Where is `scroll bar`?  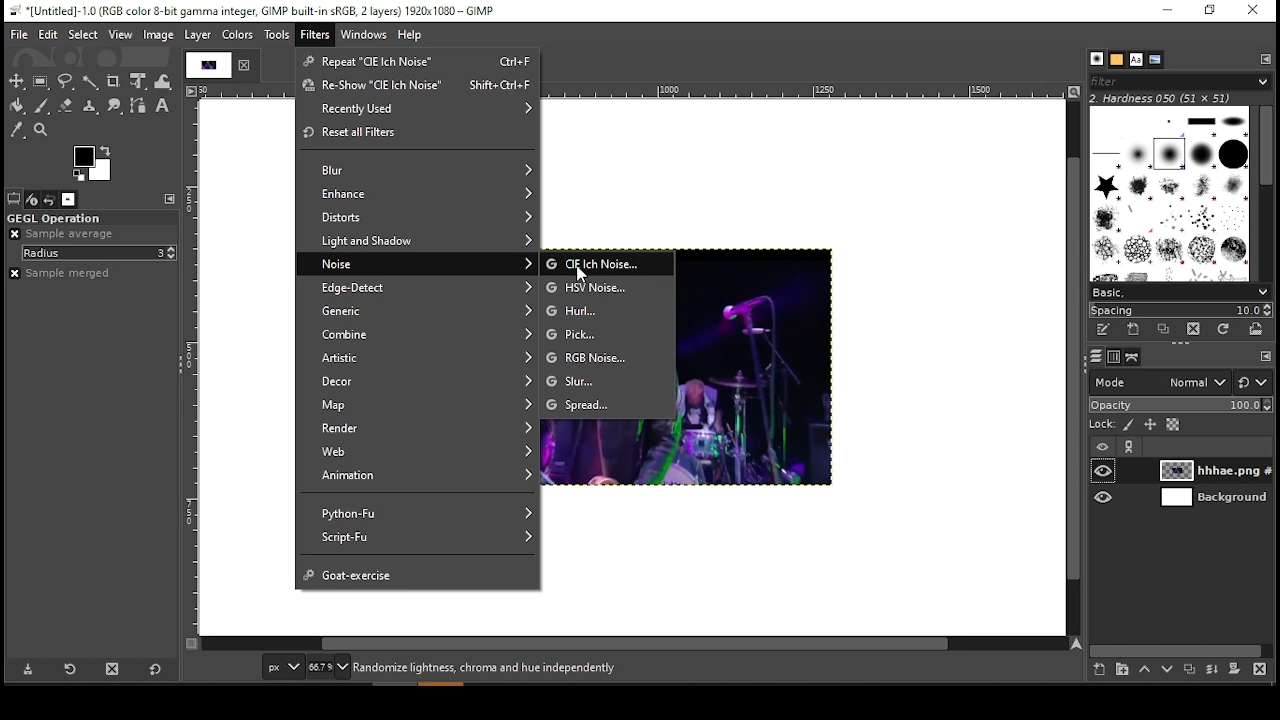
scroll bar is located at coordinates (1264, 193).